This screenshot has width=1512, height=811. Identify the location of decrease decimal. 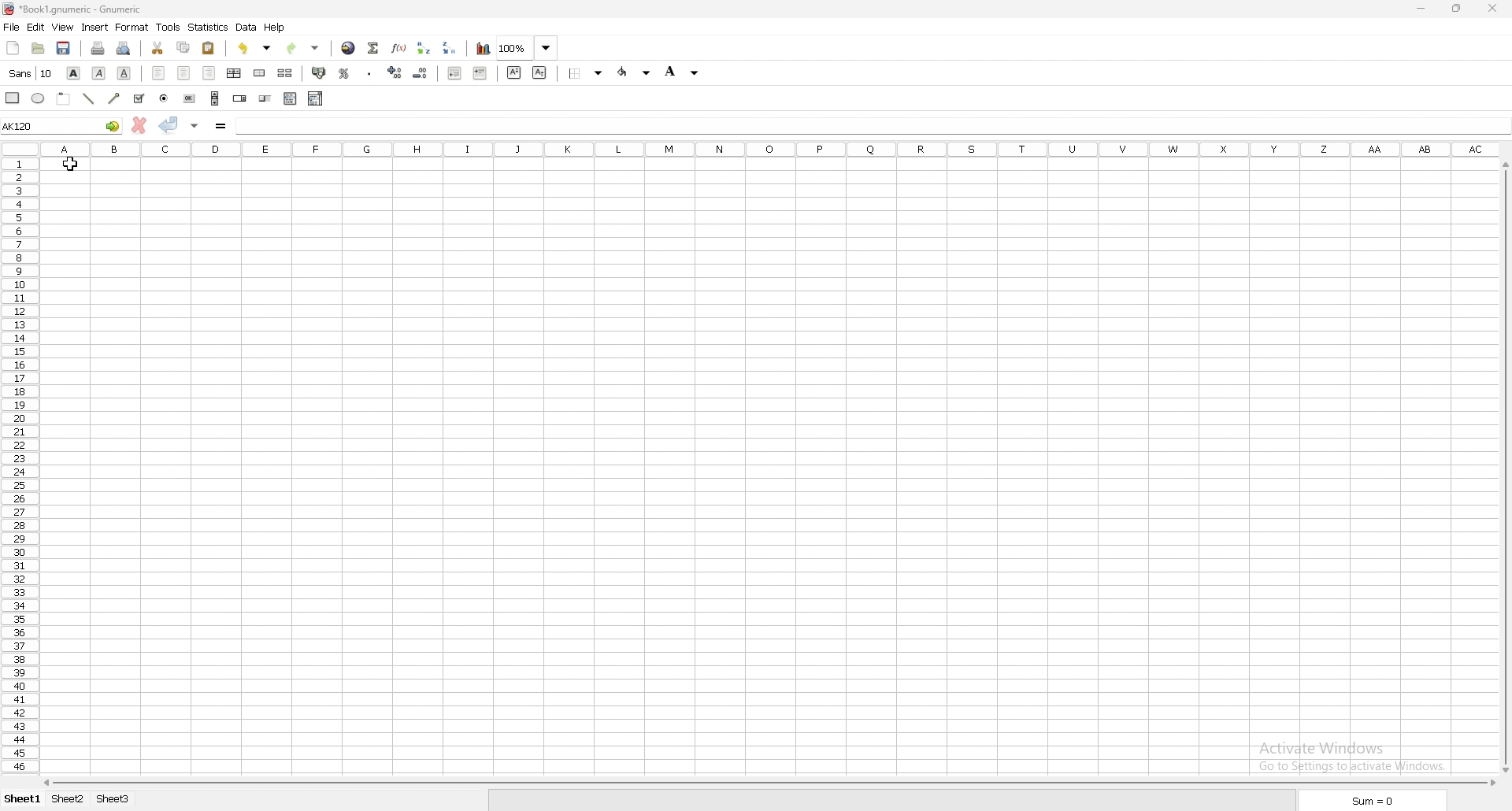
(421, 73).